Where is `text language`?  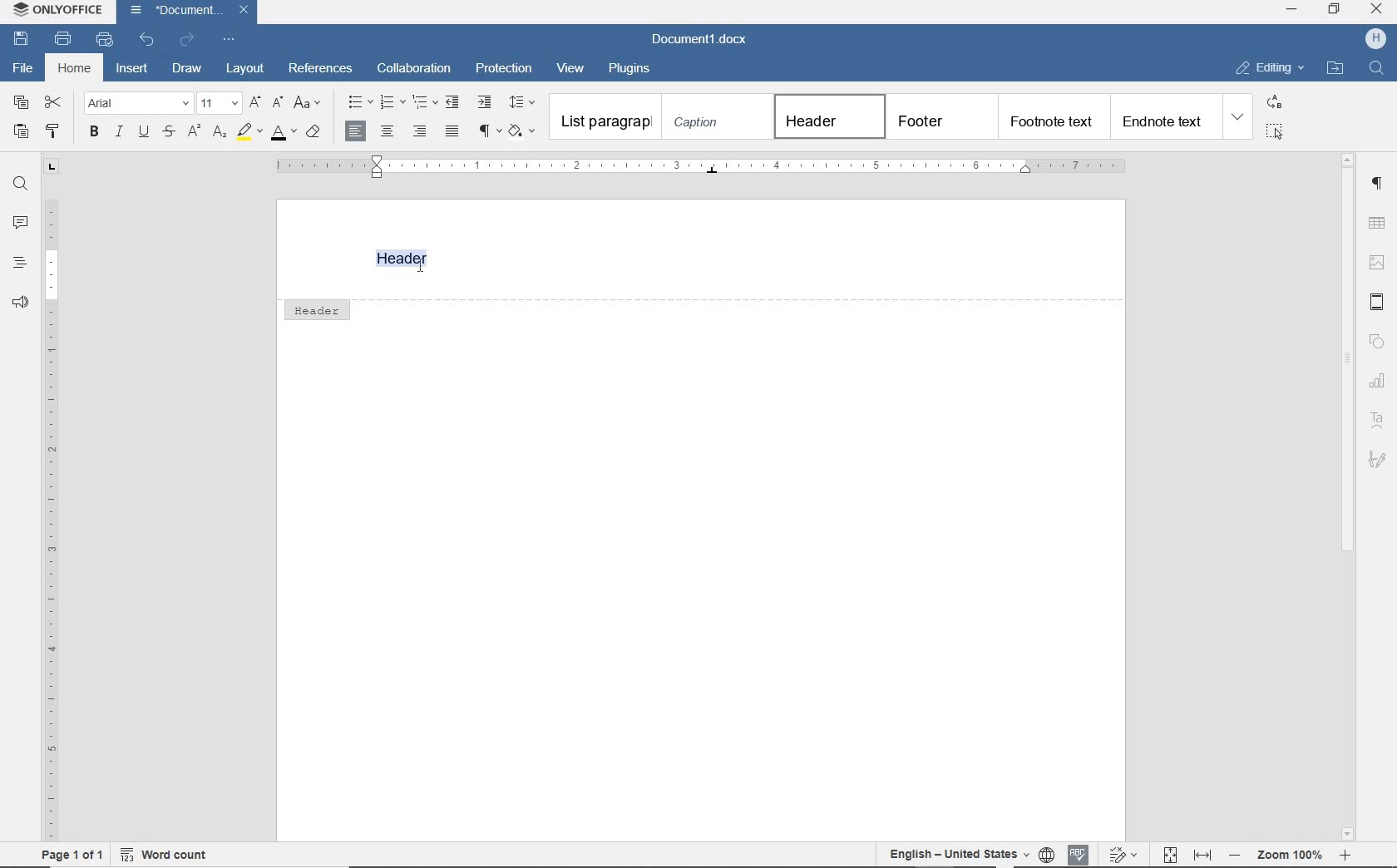
text language is located at coordinates (955, 852).